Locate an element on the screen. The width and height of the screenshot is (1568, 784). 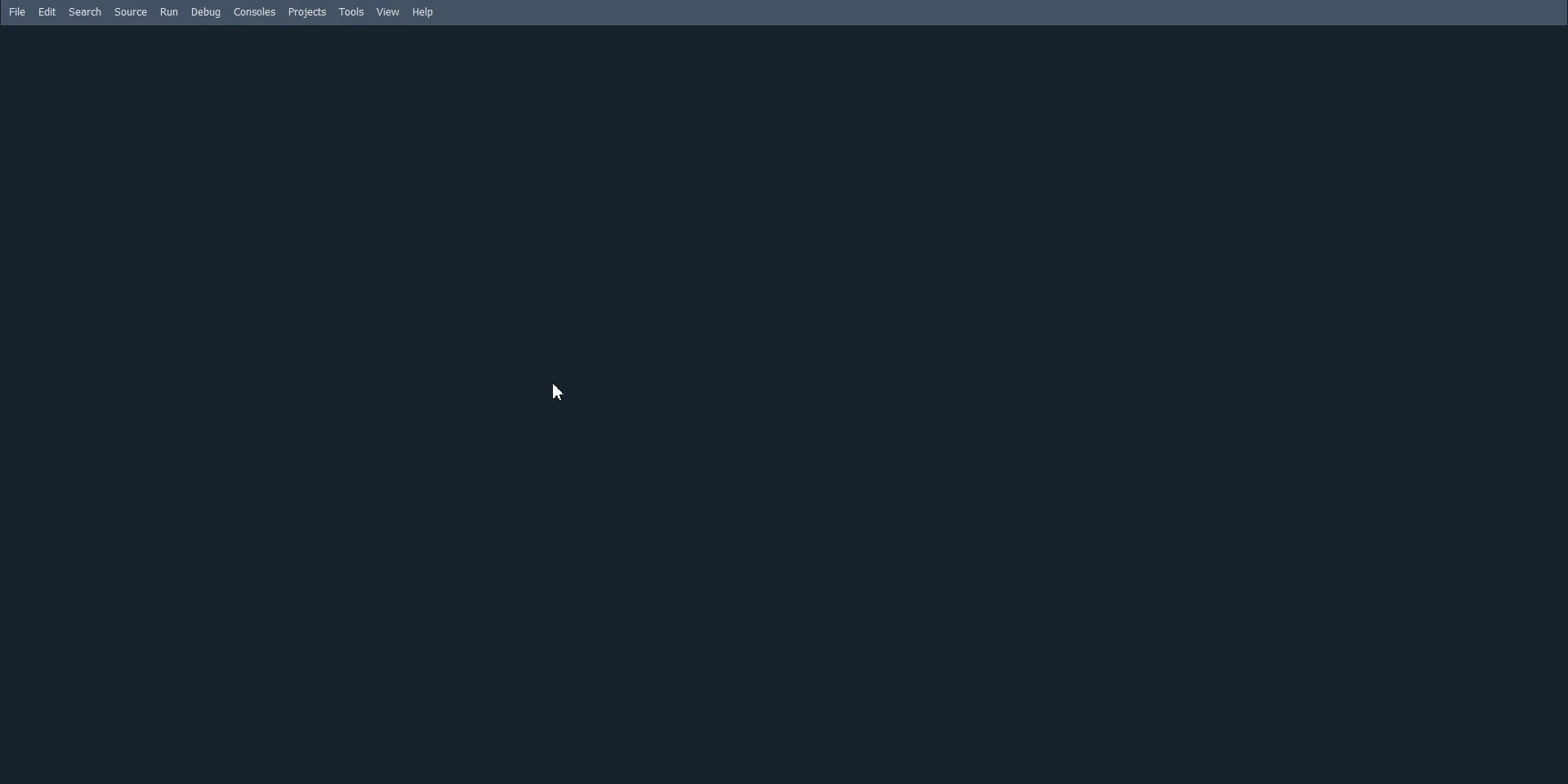
Help is located at coordinates (424, 13).